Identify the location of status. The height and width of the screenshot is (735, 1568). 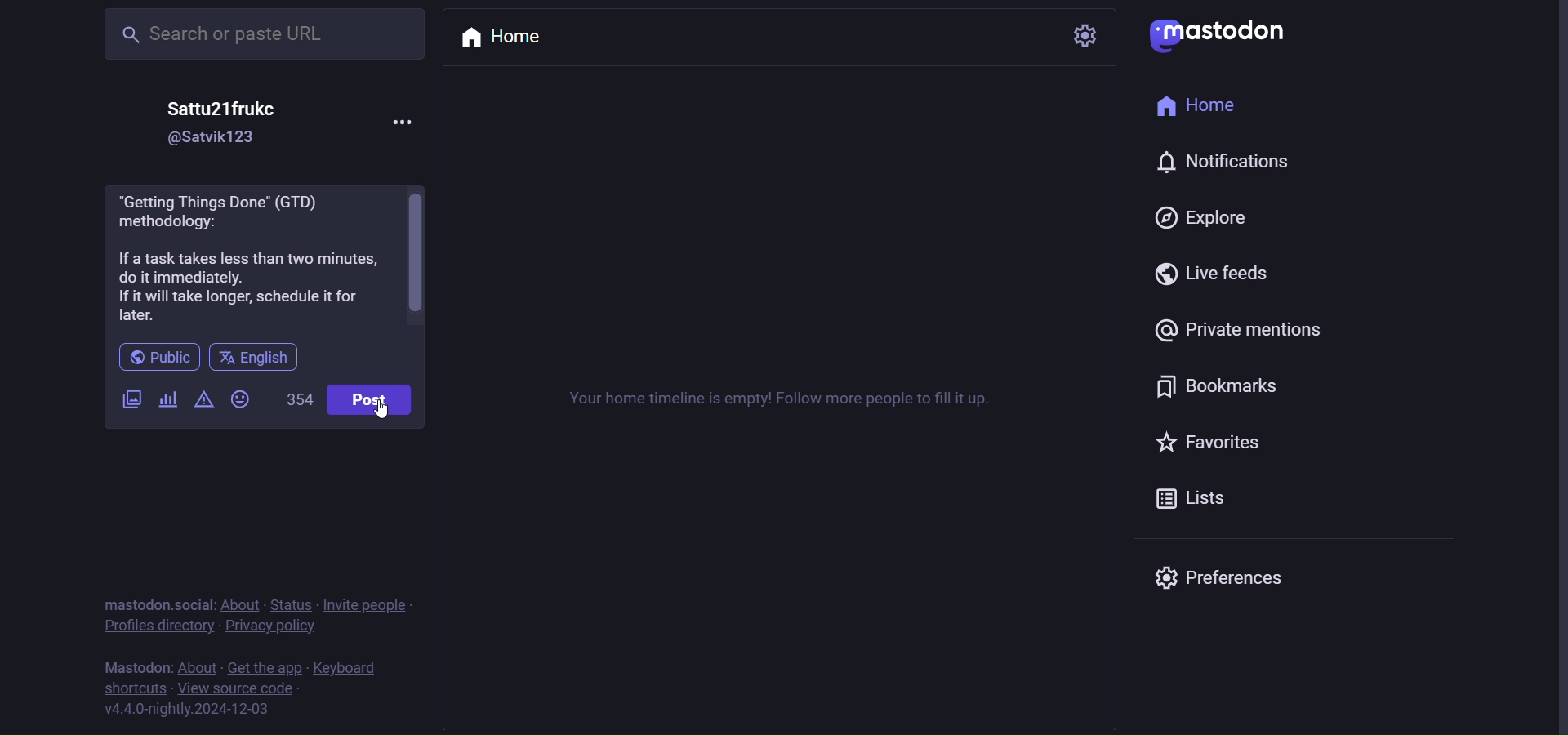
(292, 605).